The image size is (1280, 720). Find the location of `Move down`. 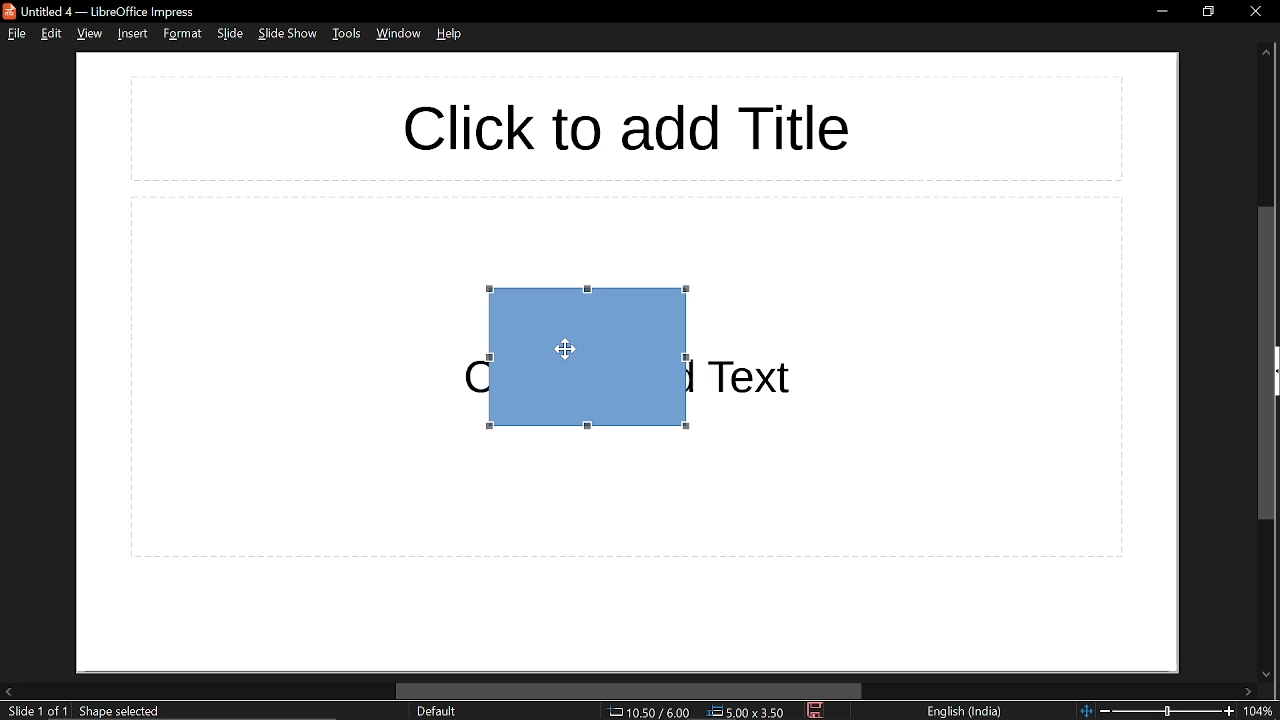

Move down is located at coordinates (1266, 672).